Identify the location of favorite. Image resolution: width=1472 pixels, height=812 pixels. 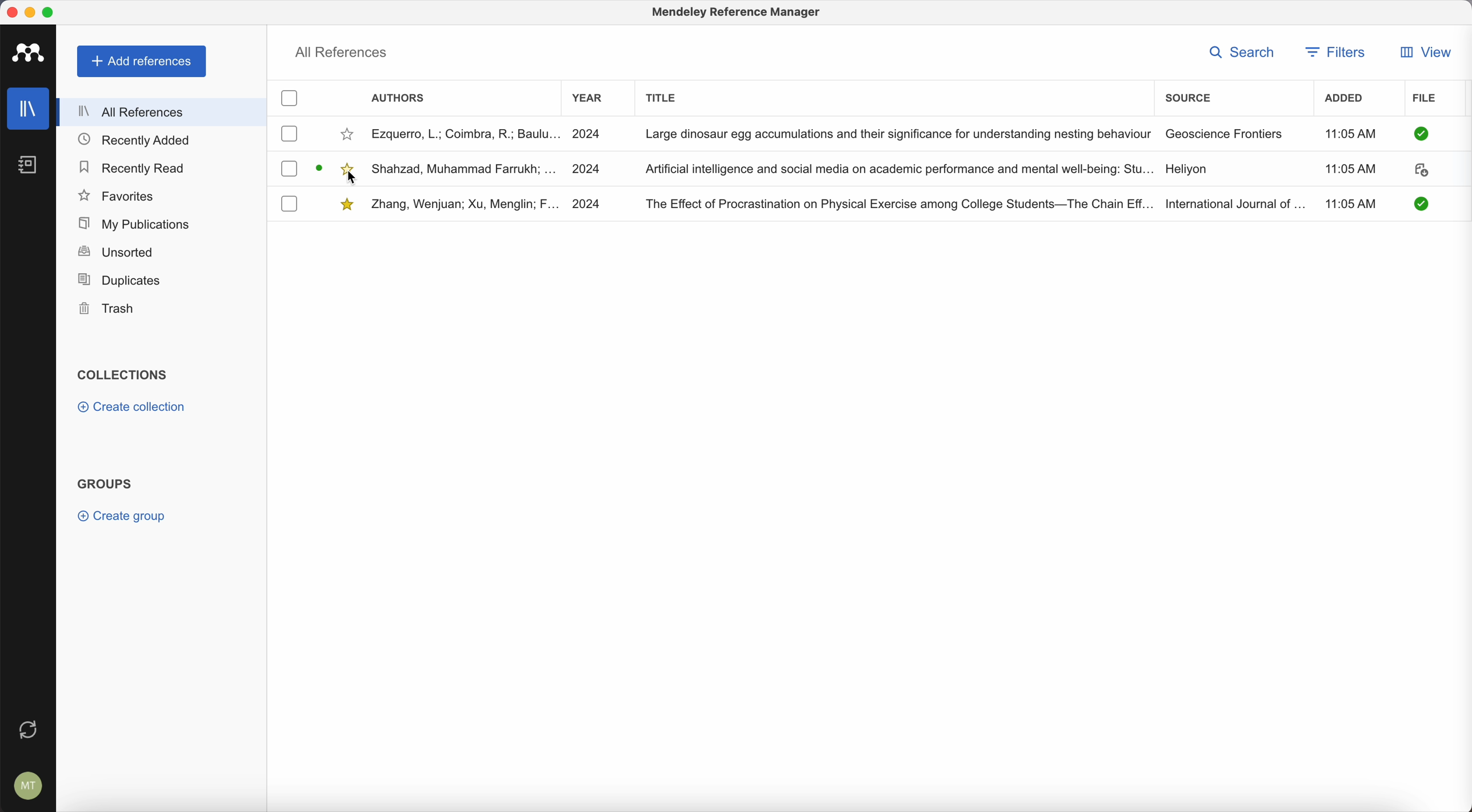
(348, 205).